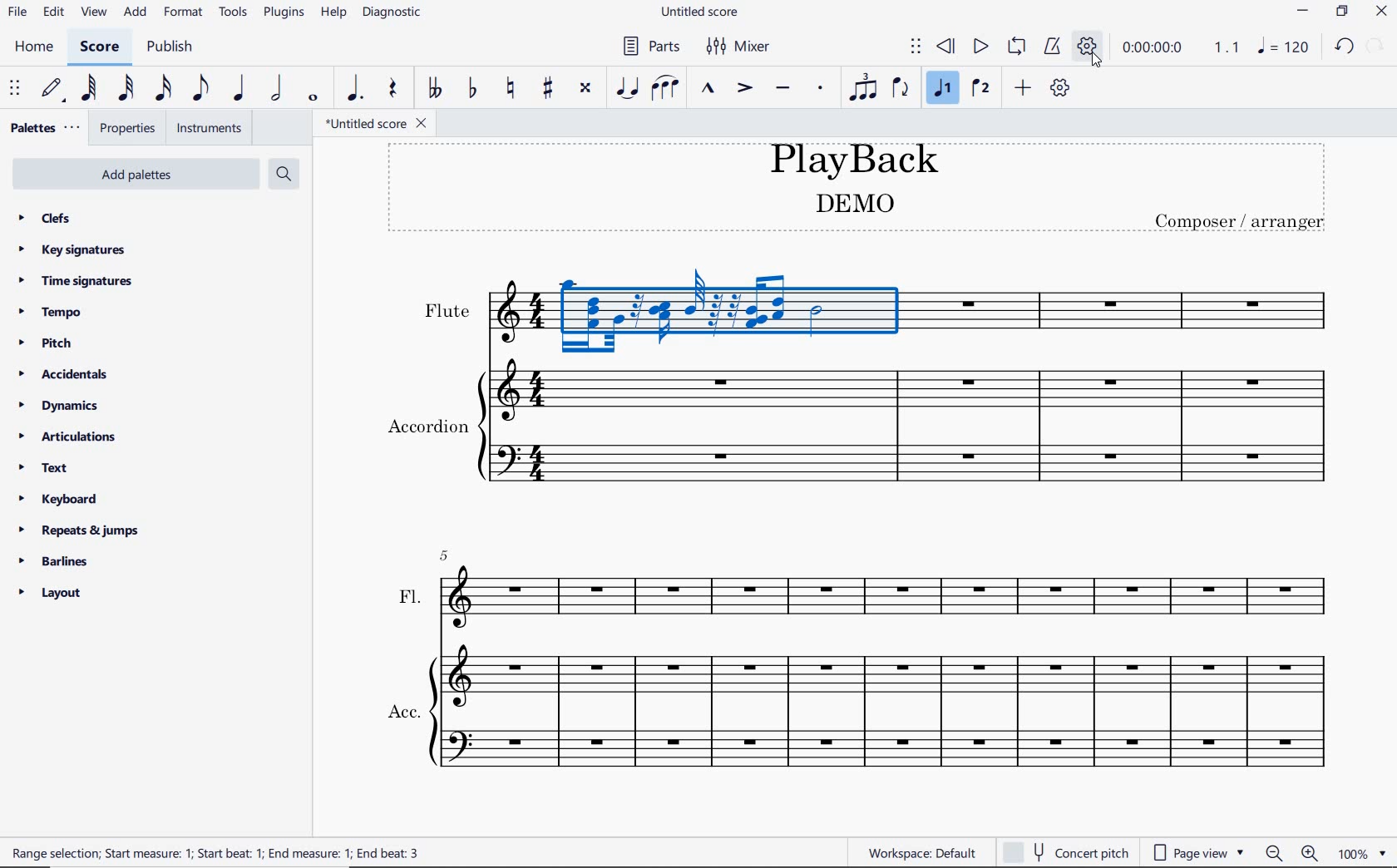  I want to click on mixer, so click(737, 47).